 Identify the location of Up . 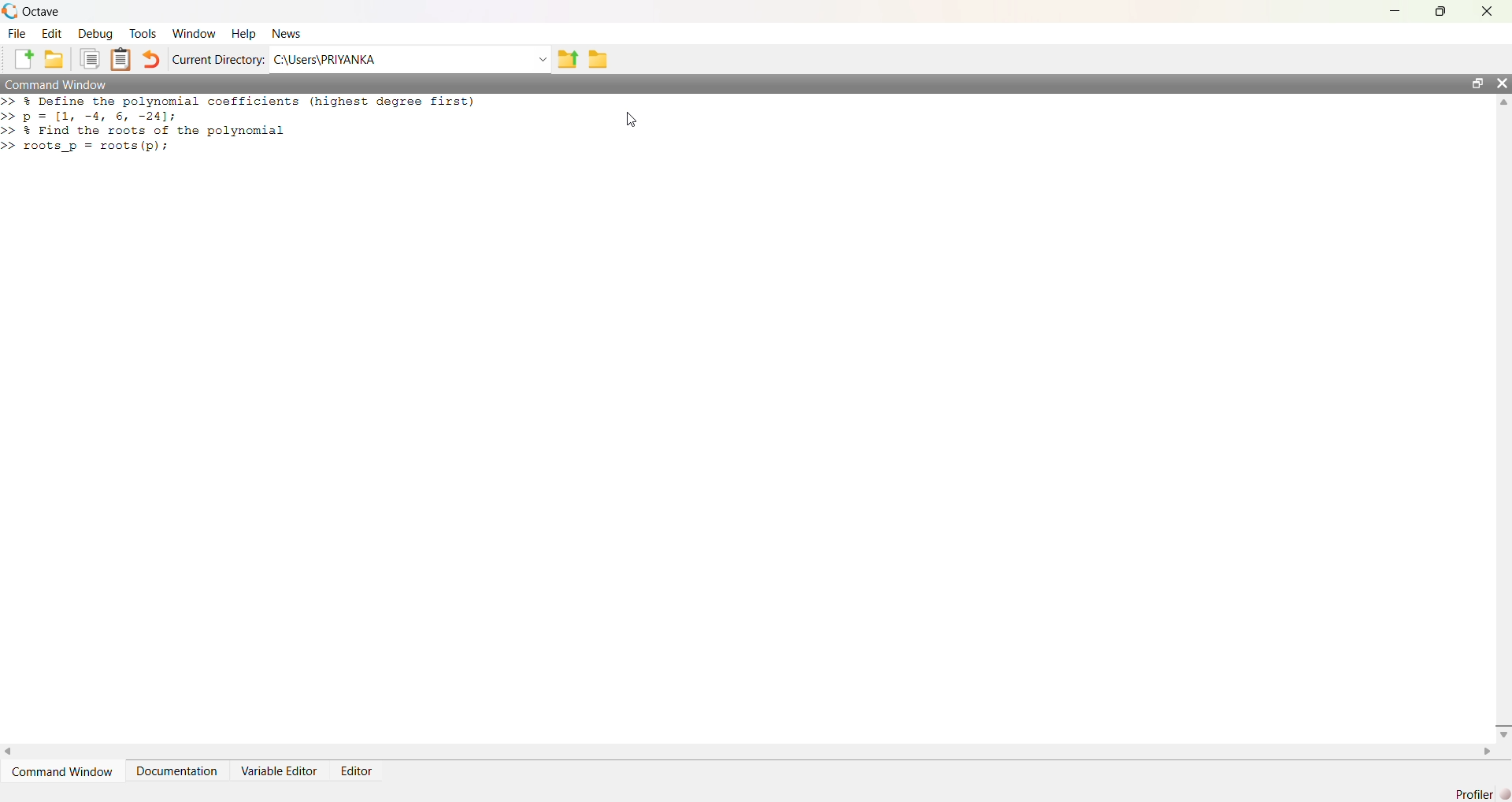
(1503, 105).